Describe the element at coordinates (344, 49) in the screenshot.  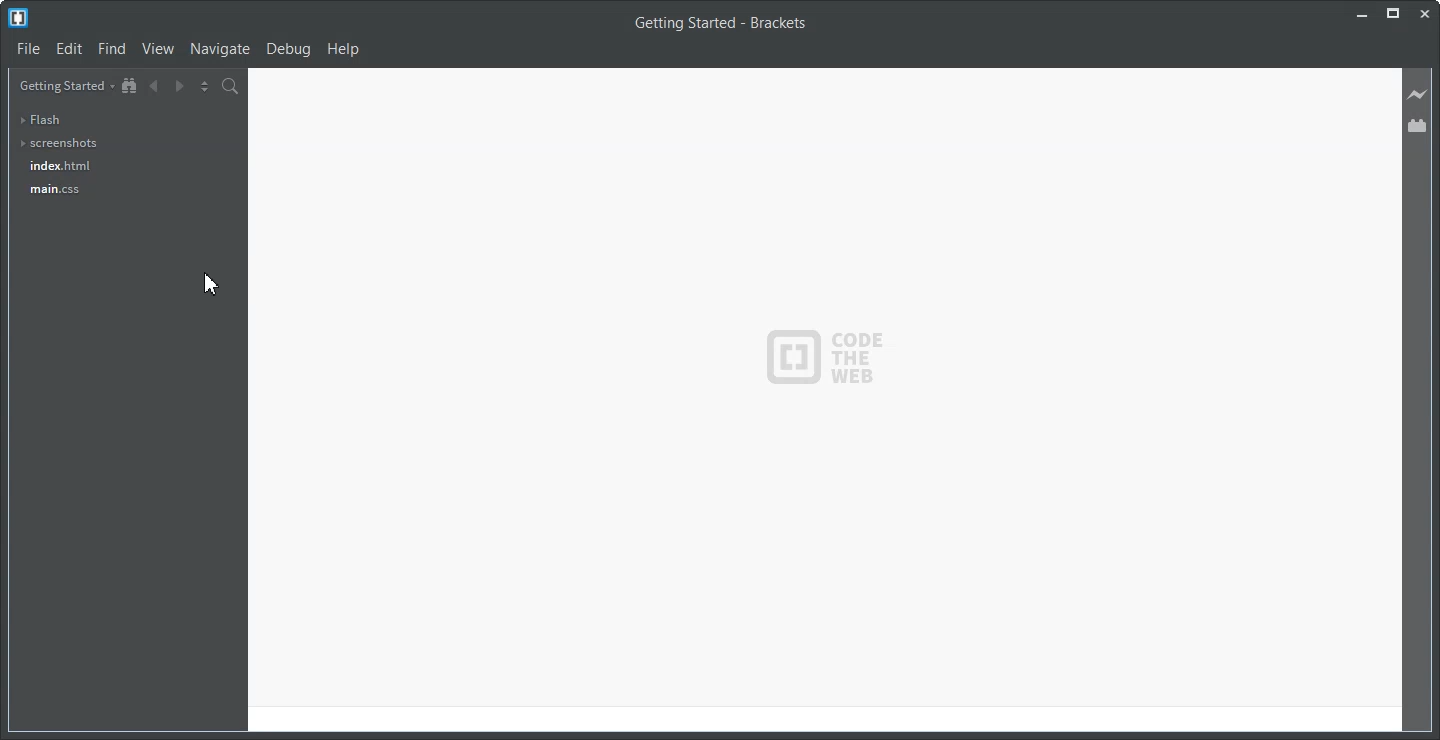
I see `Help` at that location.